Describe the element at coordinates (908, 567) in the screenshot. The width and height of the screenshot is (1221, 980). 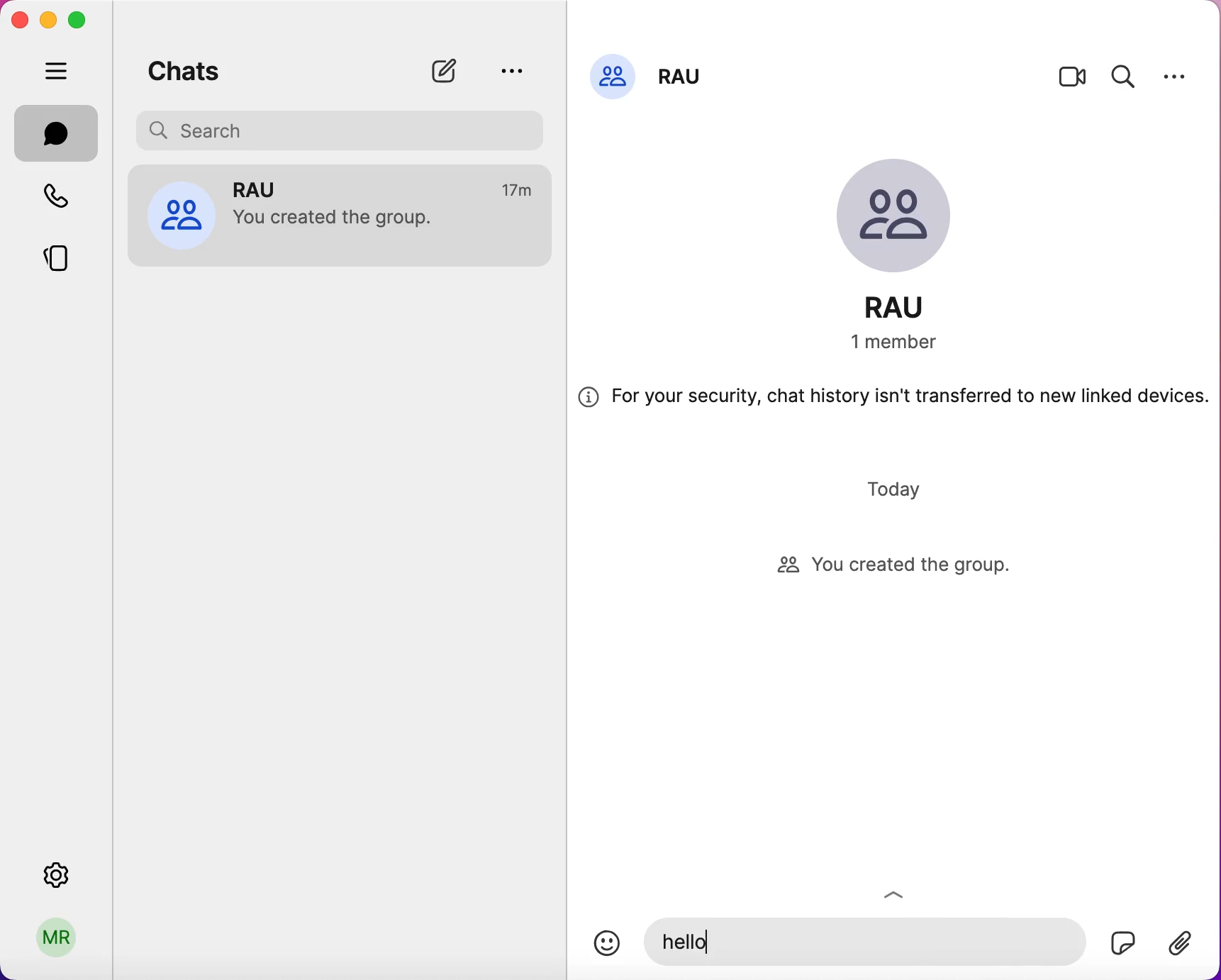
I see `you created the group` at that location.